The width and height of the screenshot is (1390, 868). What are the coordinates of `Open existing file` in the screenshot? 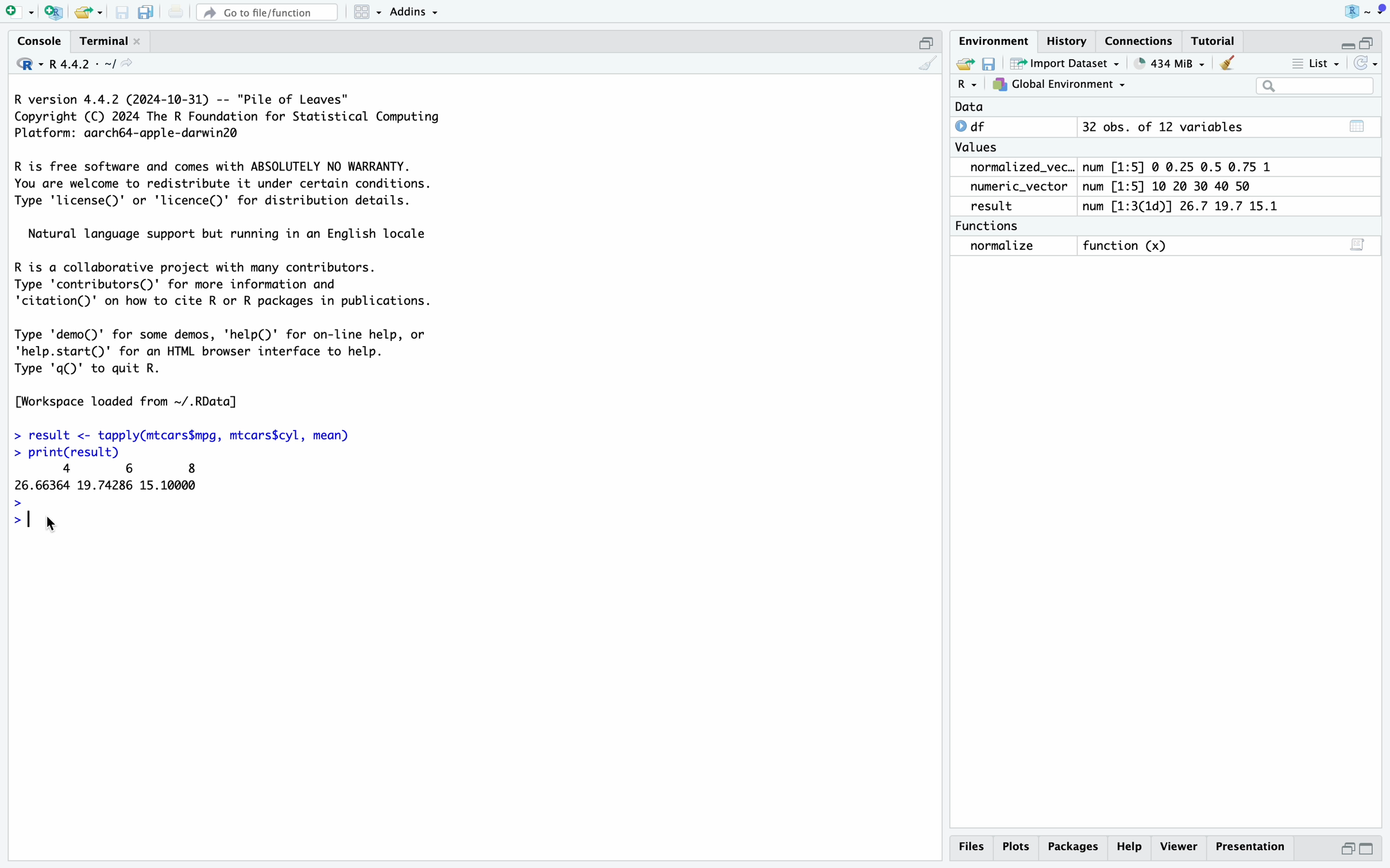 It's located at (88, 12).